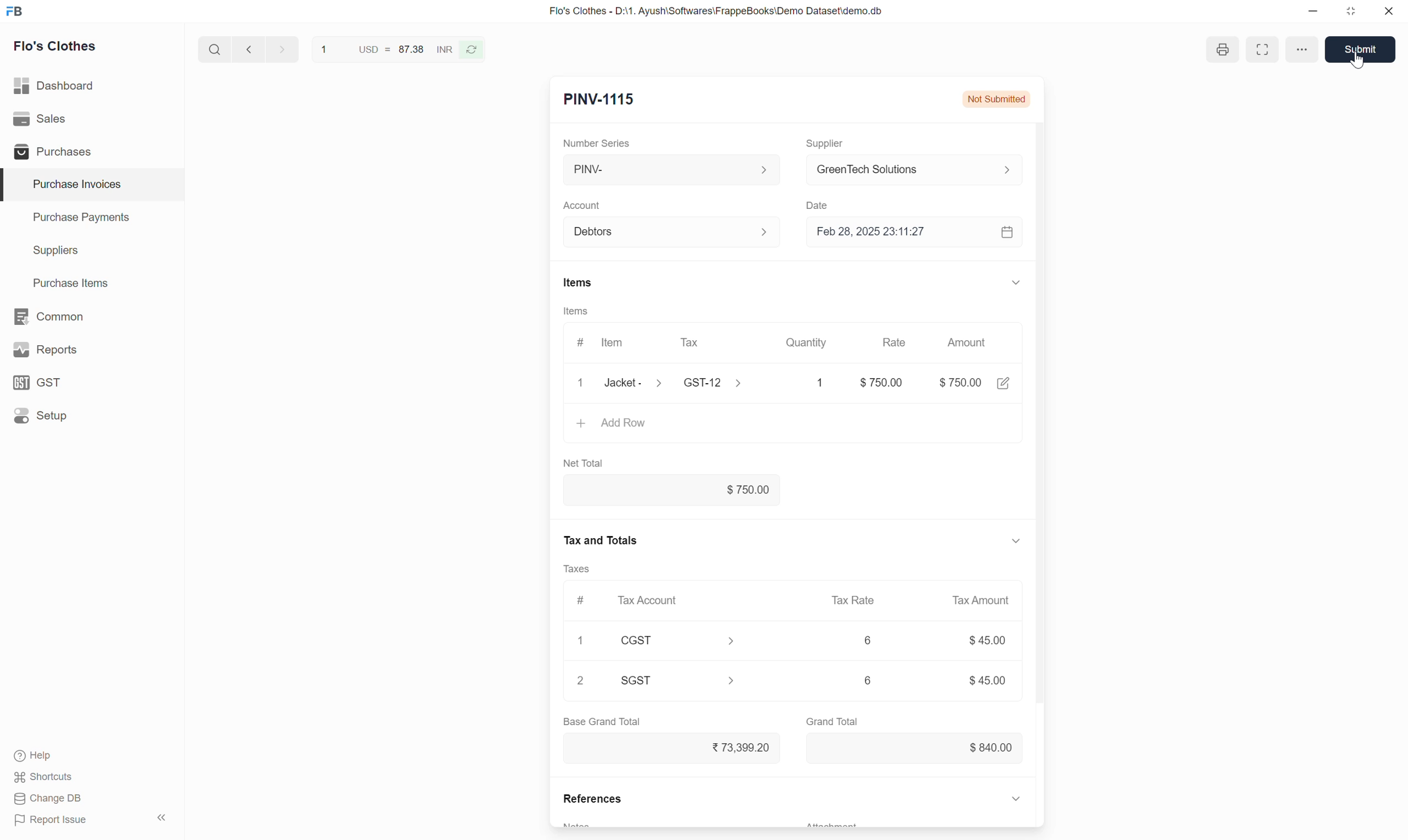  What do you see at coordinates (1364, 49) in the screenshot?
I see `Save` at bounding box center [1364, 49].